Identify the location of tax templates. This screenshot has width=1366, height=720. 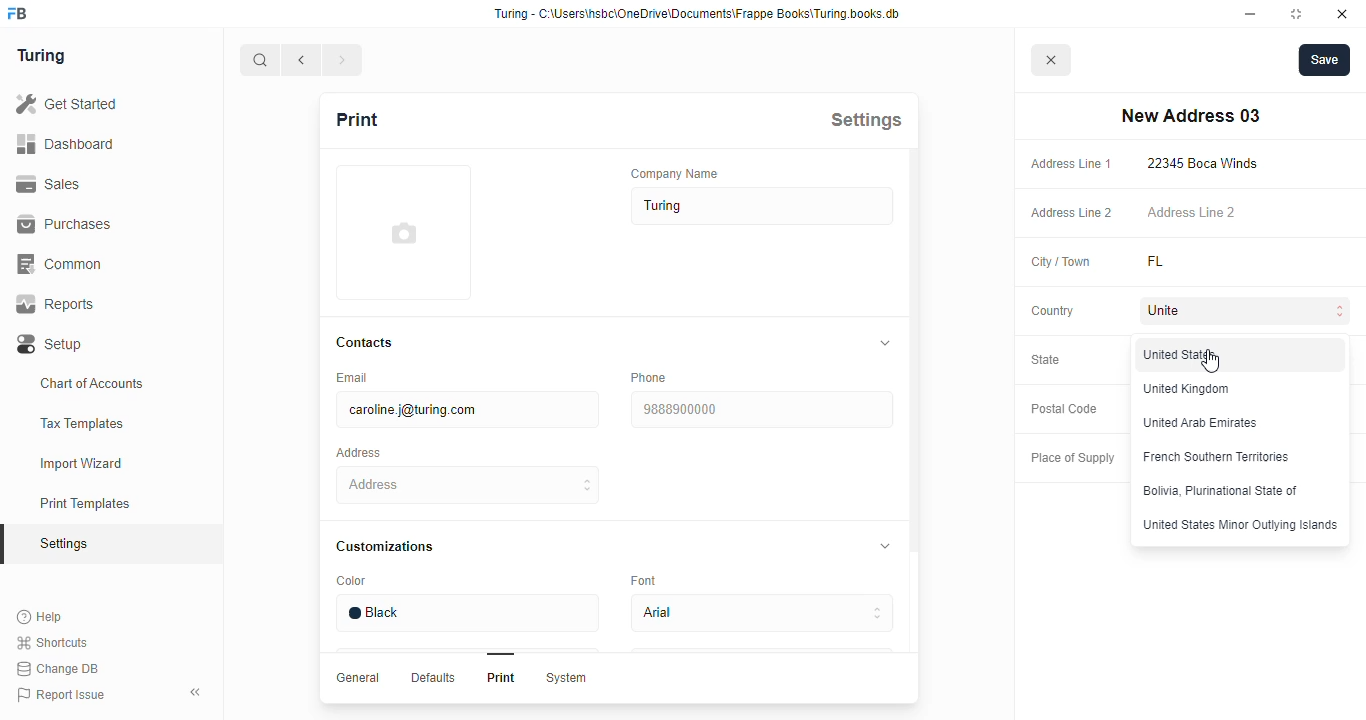
(81, 423).